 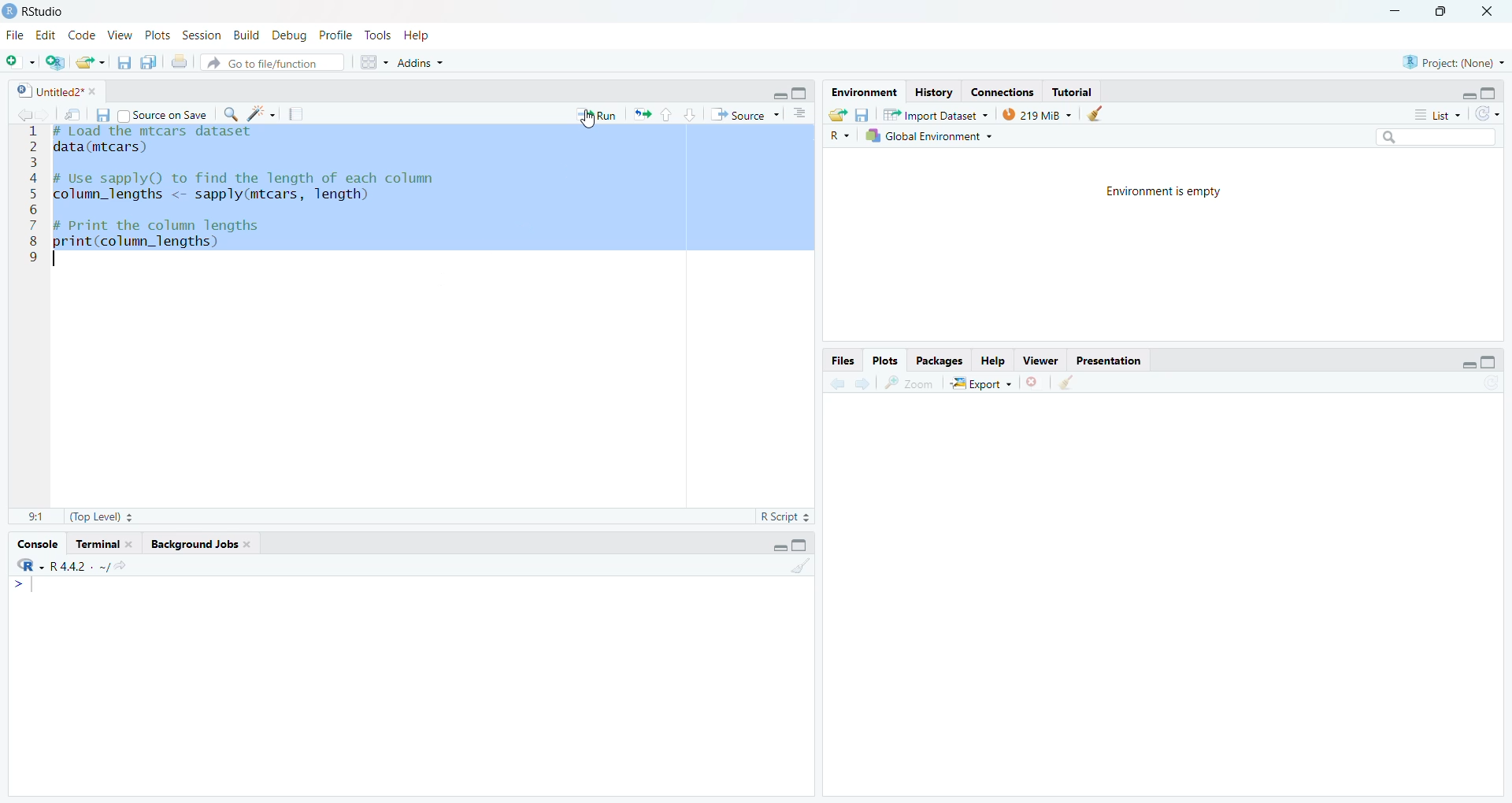 I want to click on 1:1, so click(x=37, y=518).